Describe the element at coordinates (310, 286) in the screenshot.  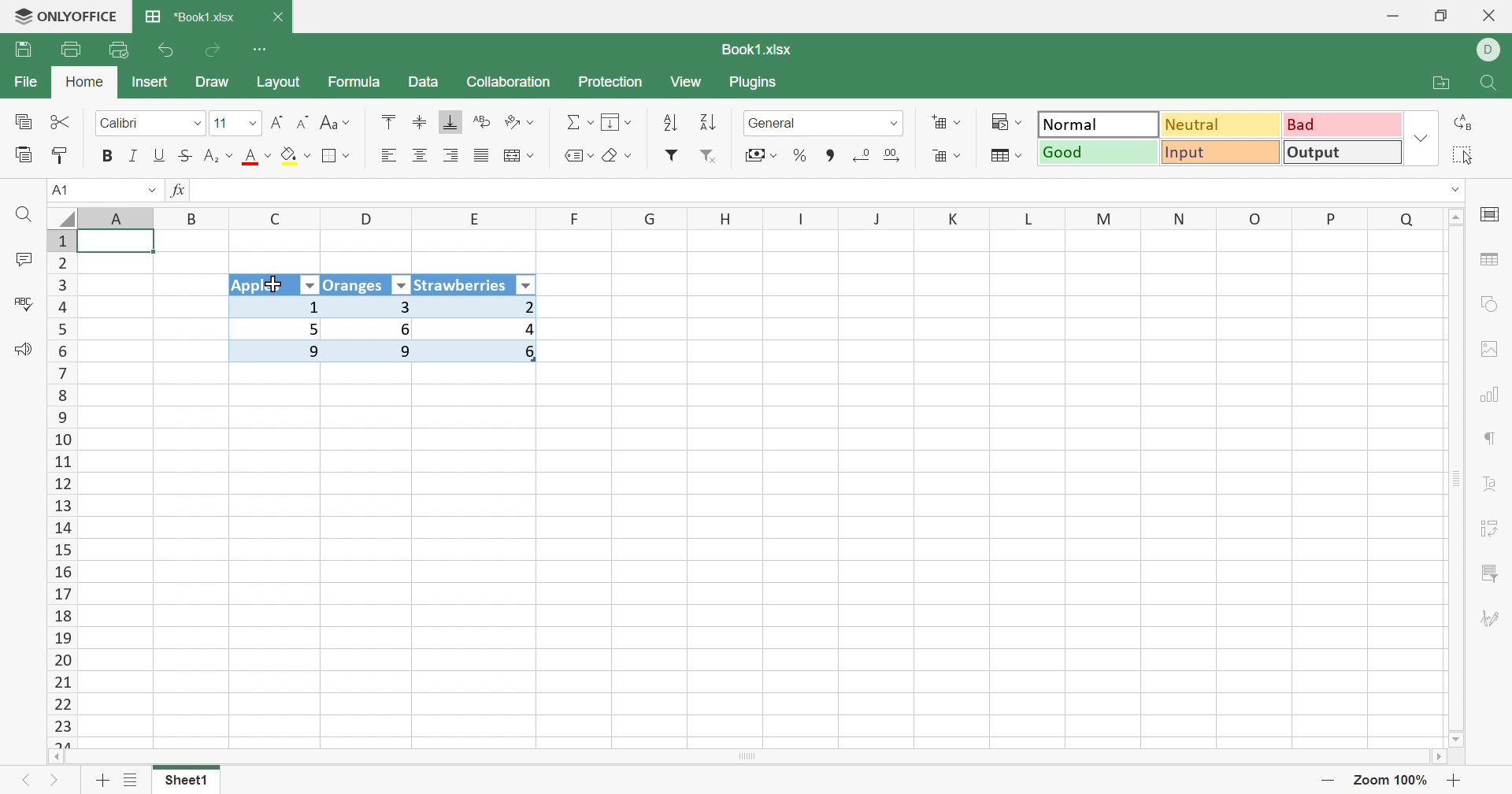
I see `Autofilter` at that location.